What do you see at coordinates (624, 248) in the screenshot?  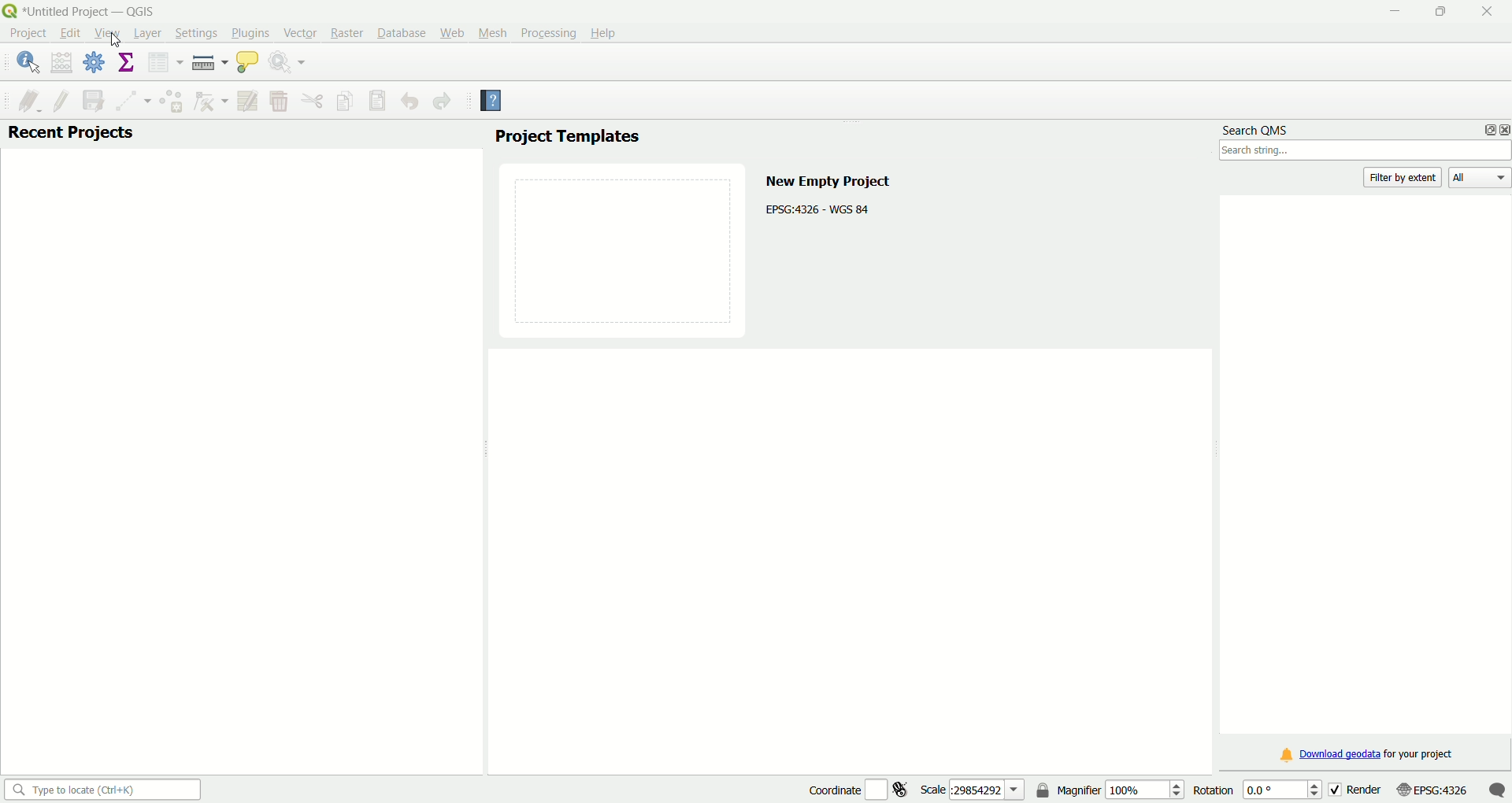 I see `slide` at bounding box center [624, 248].